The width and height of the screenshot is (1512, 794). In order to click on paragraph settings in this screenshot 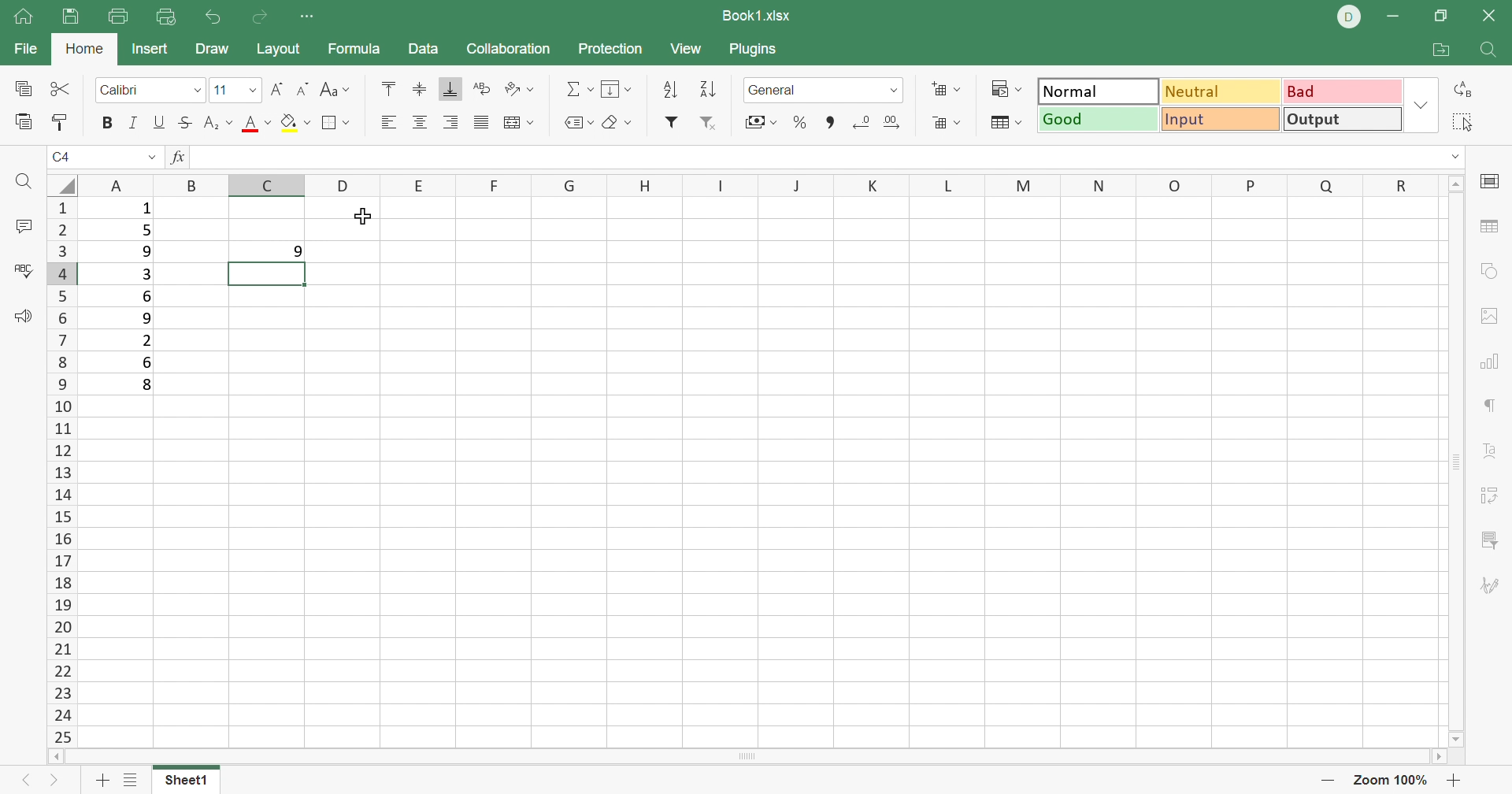, I will do `click(1495, 405)`.